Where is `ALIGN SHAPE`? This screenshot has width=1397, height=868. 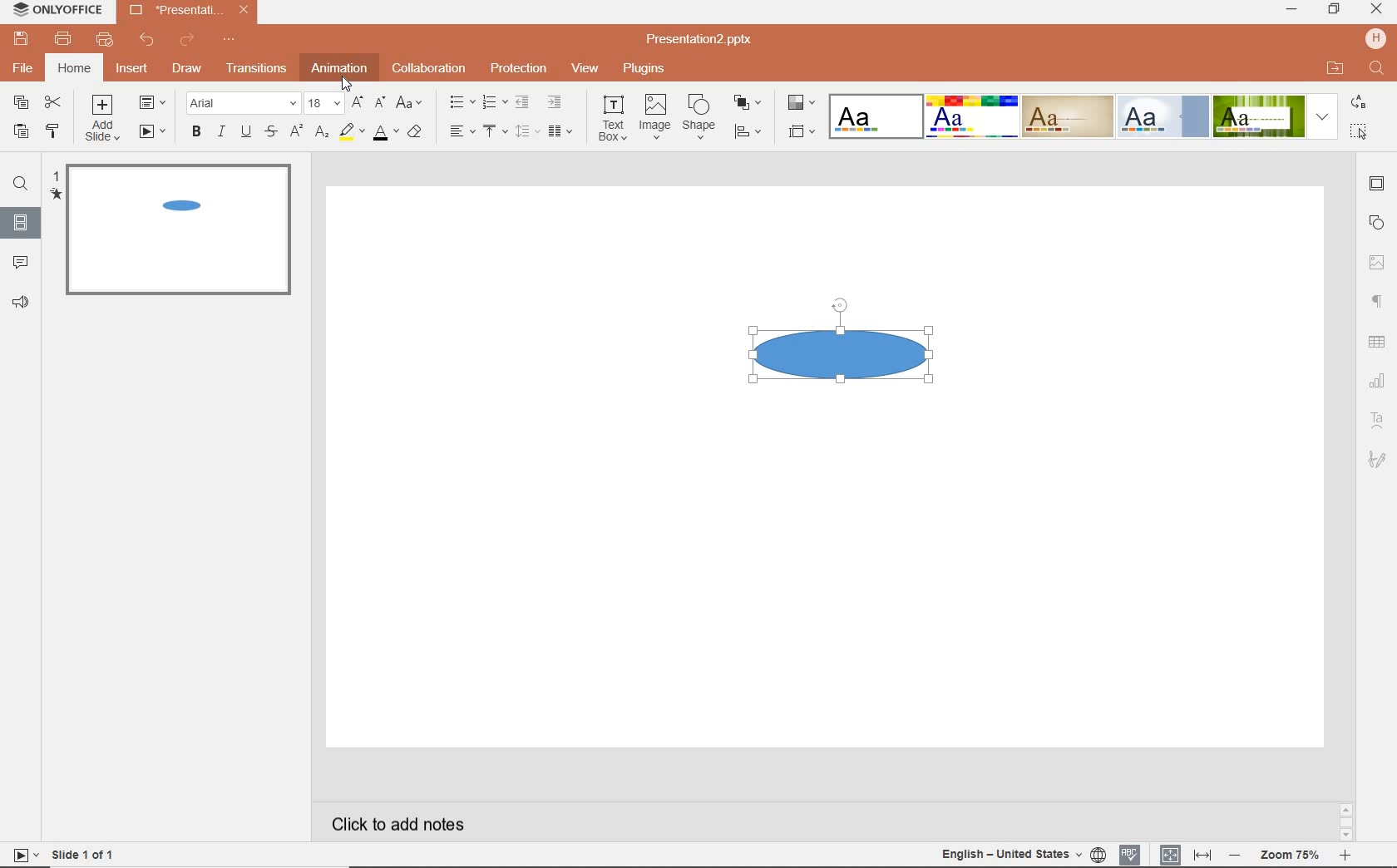
ALIGN SHAPE is located at coordinates (748, 133).